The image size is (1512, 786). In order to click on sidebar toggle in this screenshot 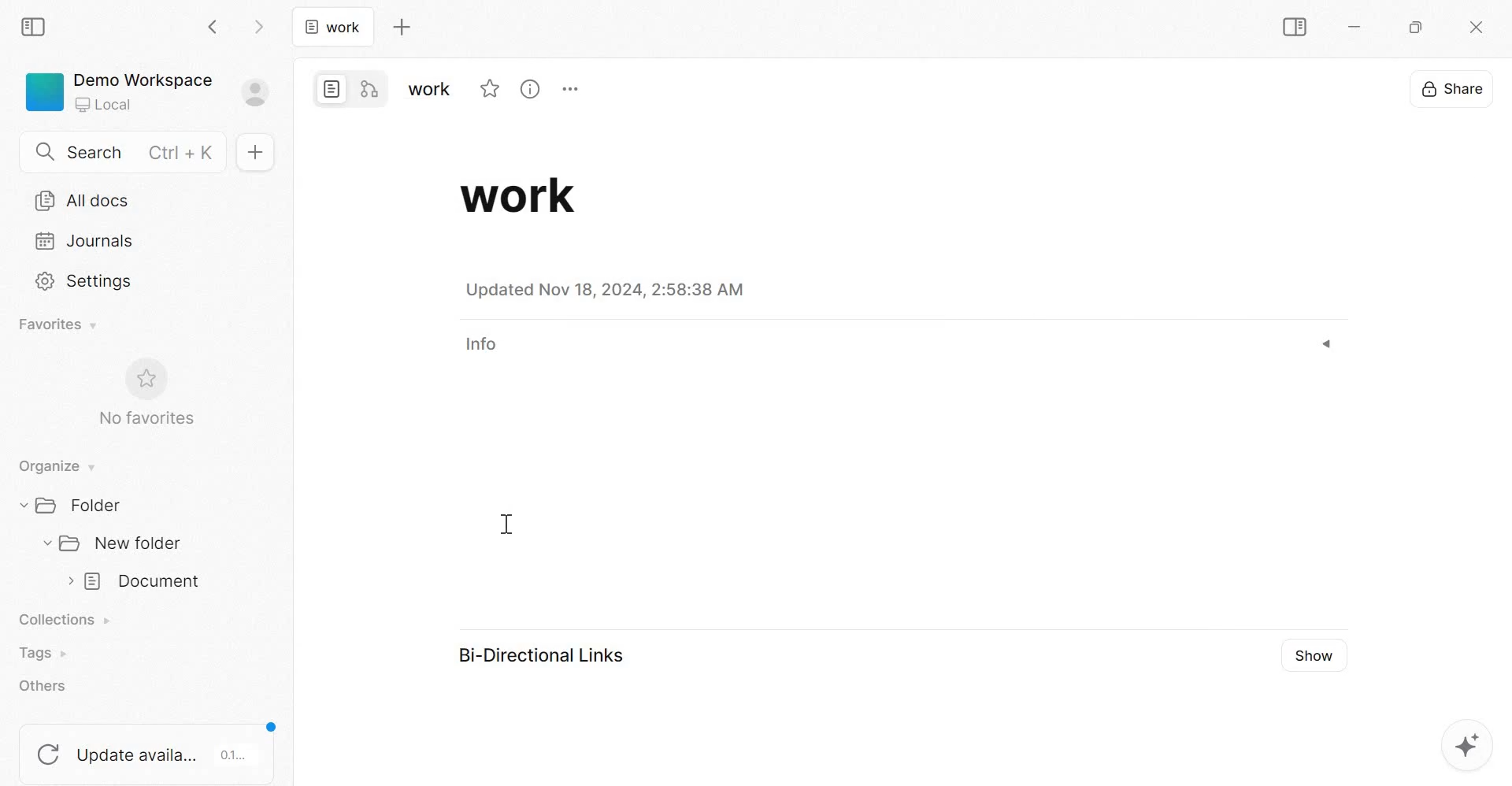, I will do `click(35, 24)`.